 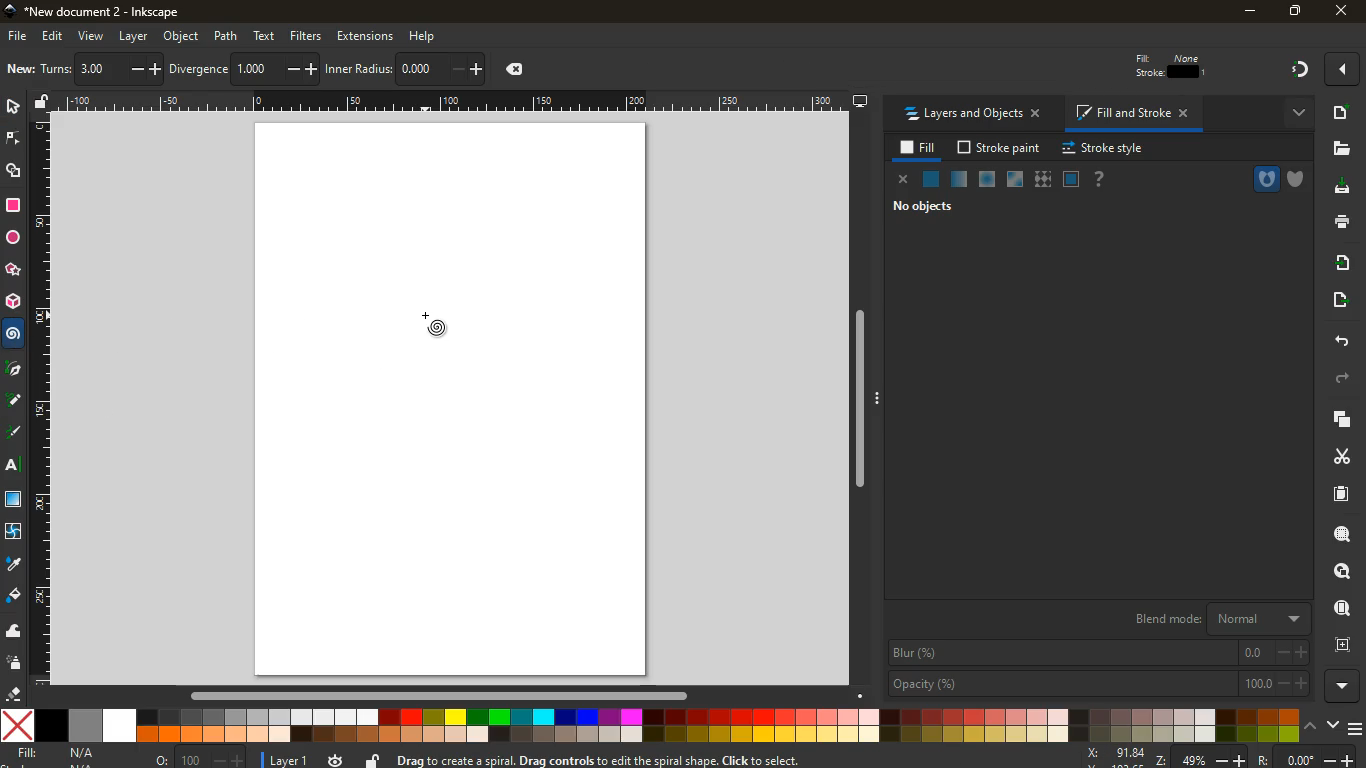 What do you see at coordinates (60, 755) in the screenshot?
I see `fill` at bounding box center [60, 755].